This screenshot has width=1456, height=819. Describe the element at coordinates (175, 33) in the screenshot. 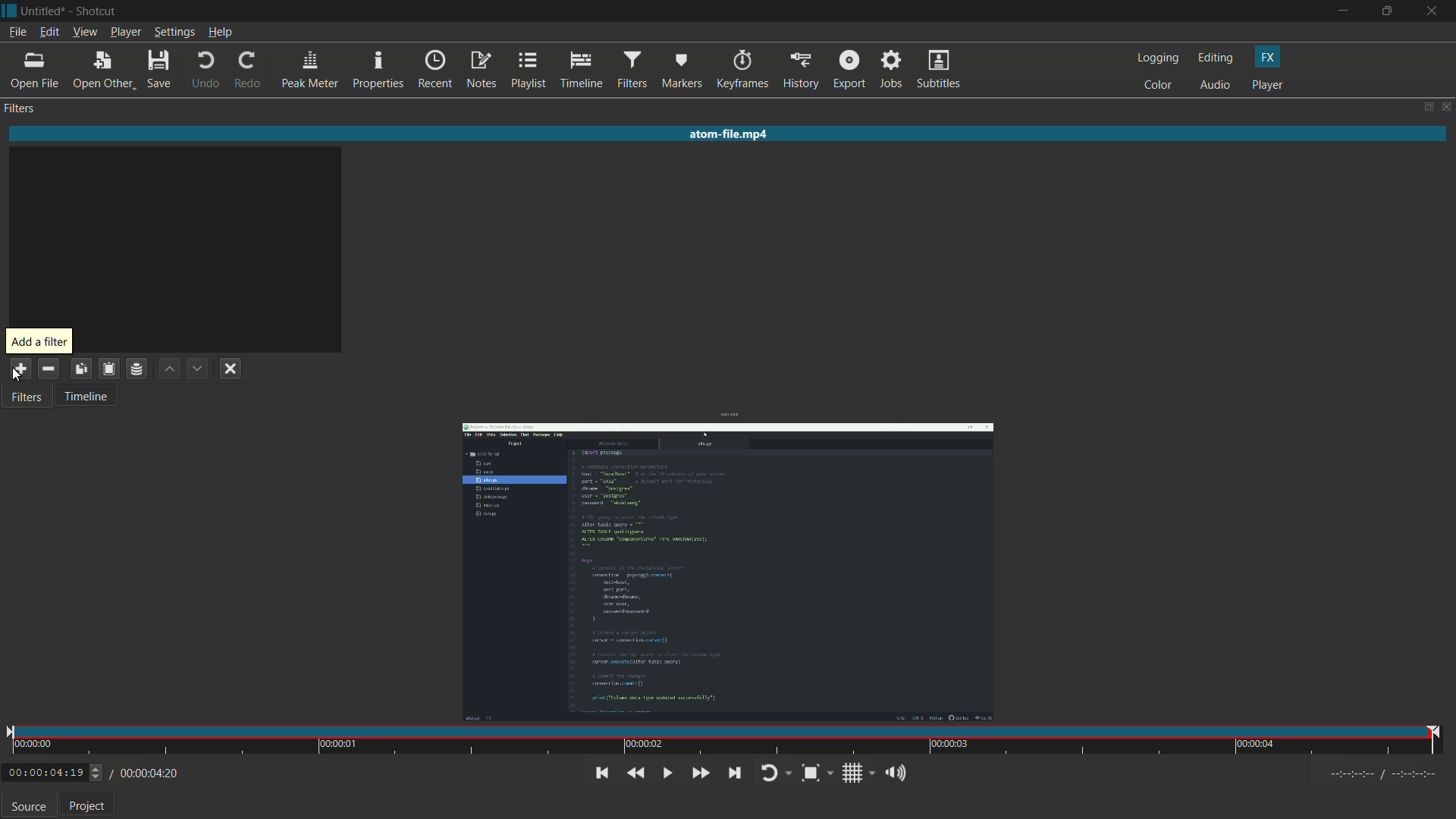

I see `settings menu` at that location.